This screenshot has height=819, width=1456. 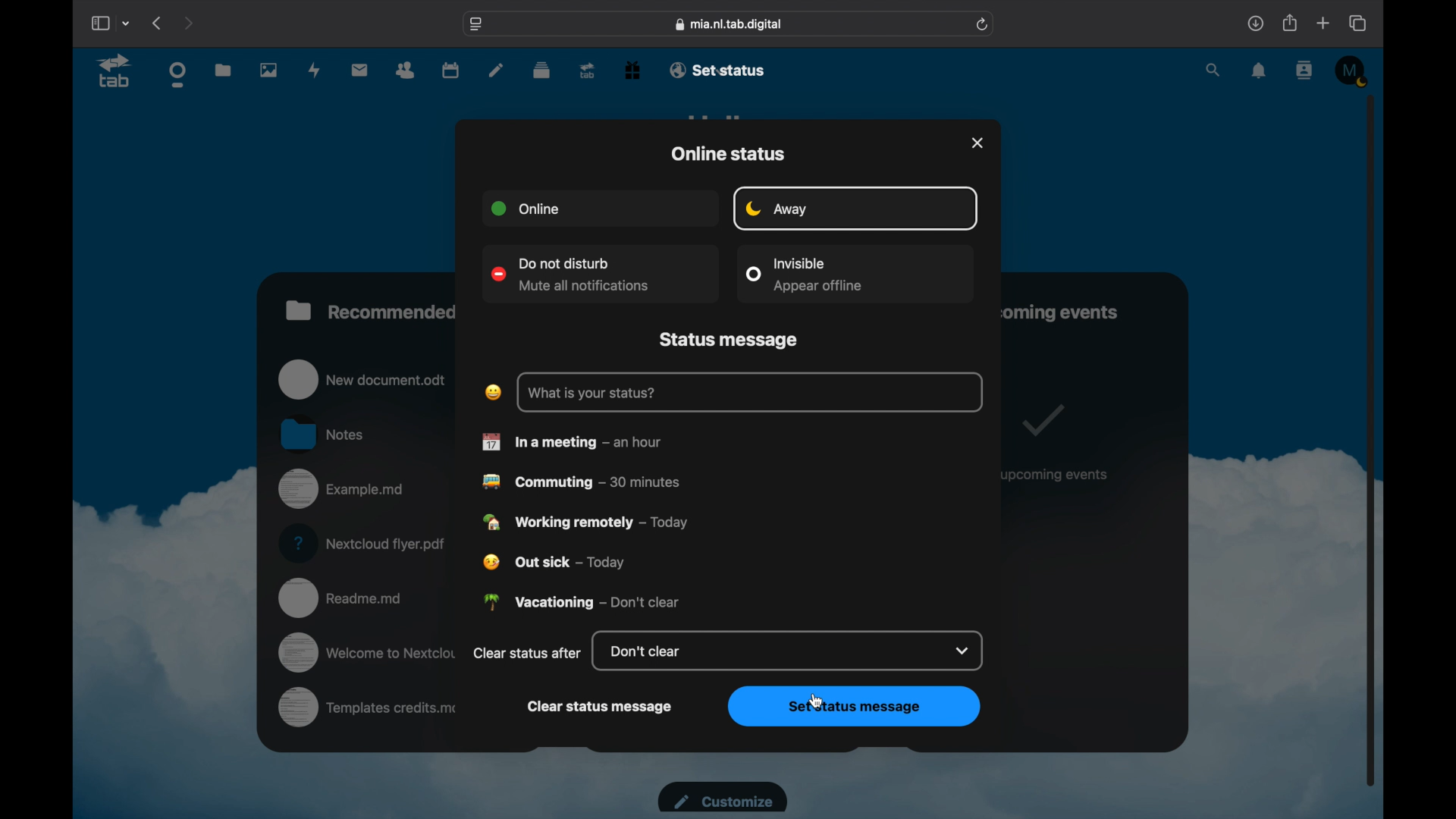 I want to click on notes, so click(x=324, y=433).